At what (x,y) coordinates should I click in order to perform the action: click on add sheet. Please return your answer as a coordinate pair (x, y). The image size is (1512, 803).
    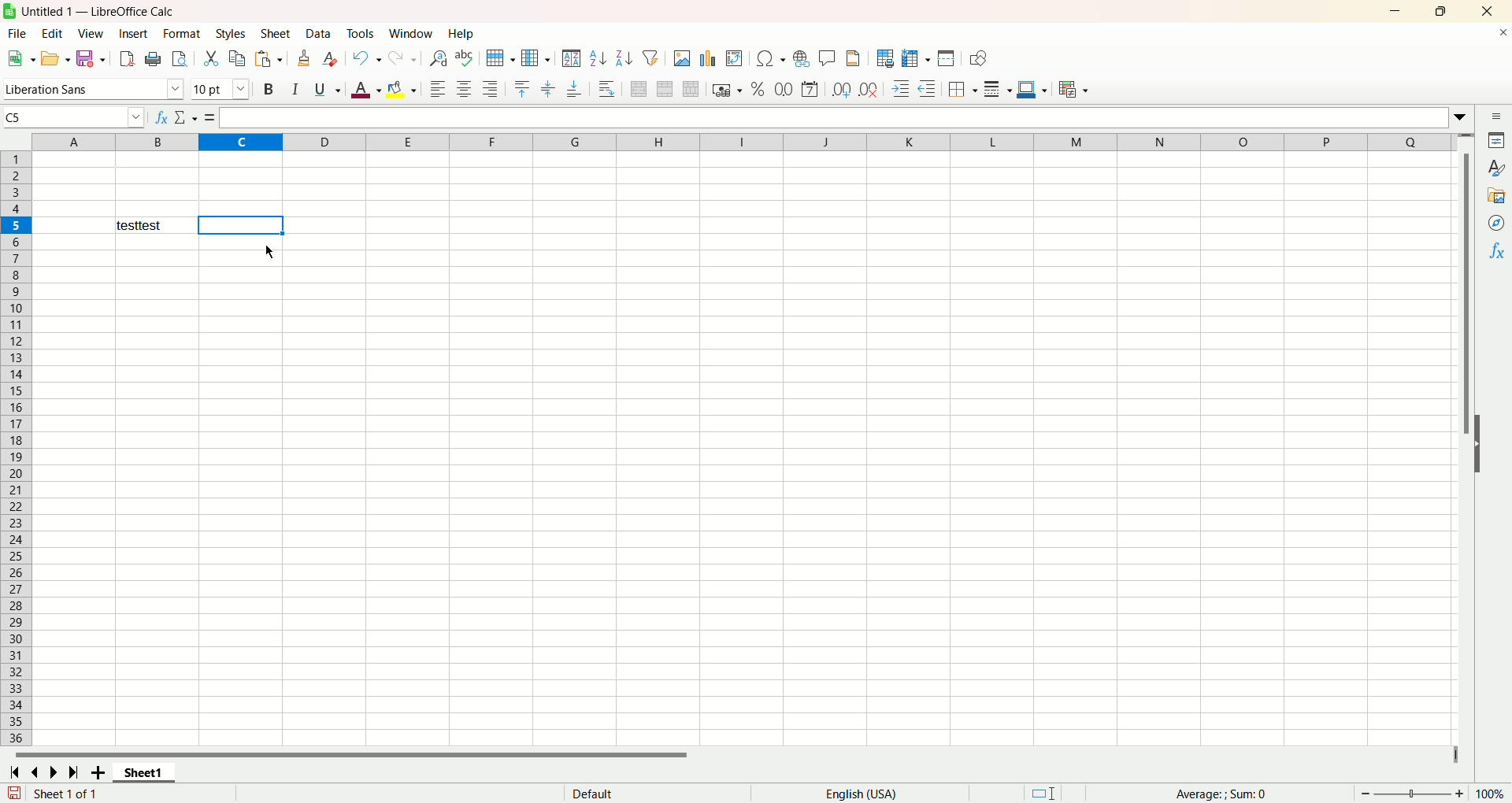
    Looking at the image, I should click on (100, 772).